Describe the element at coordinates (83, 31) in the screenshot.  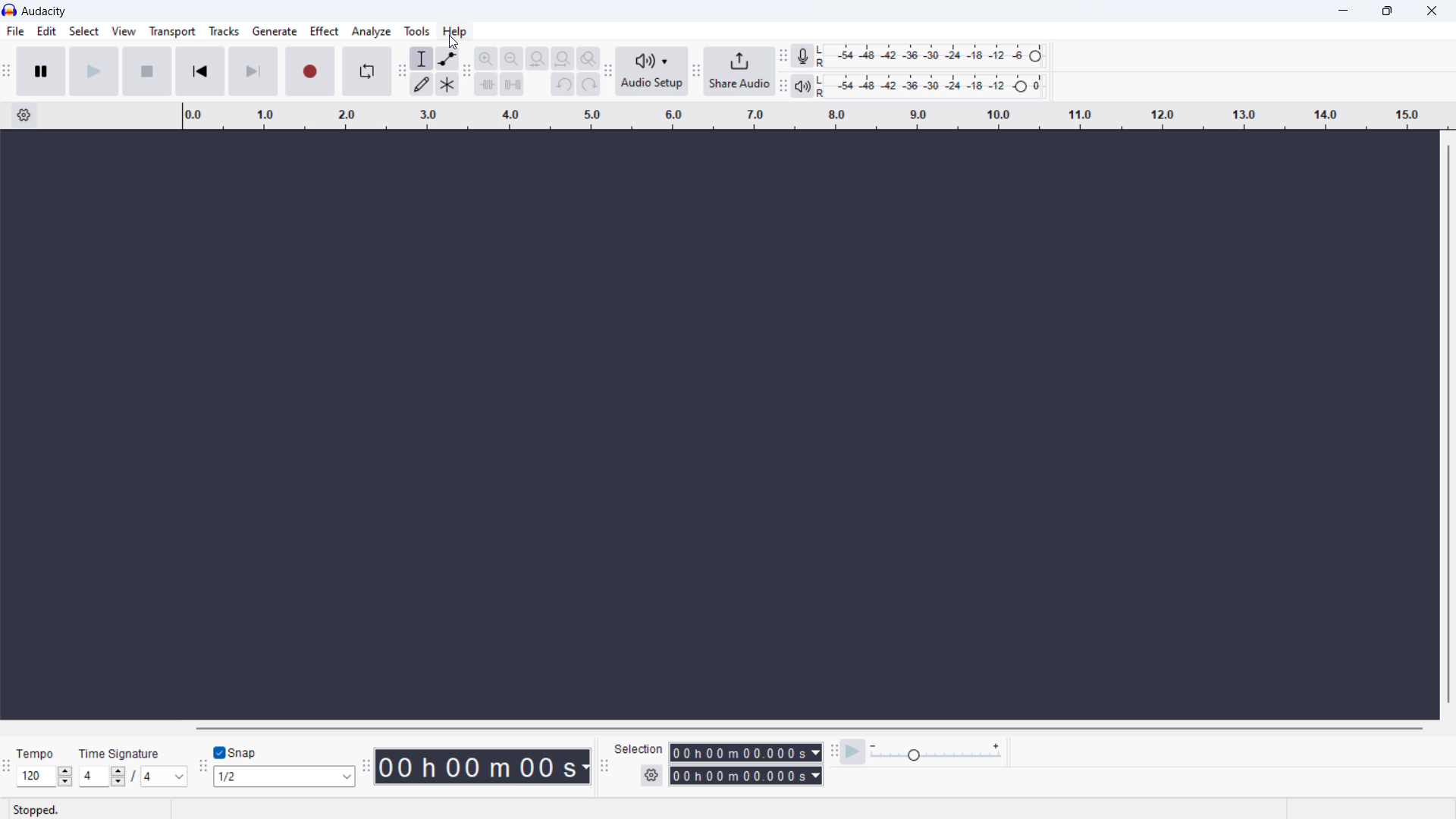
I see `select` at that location.